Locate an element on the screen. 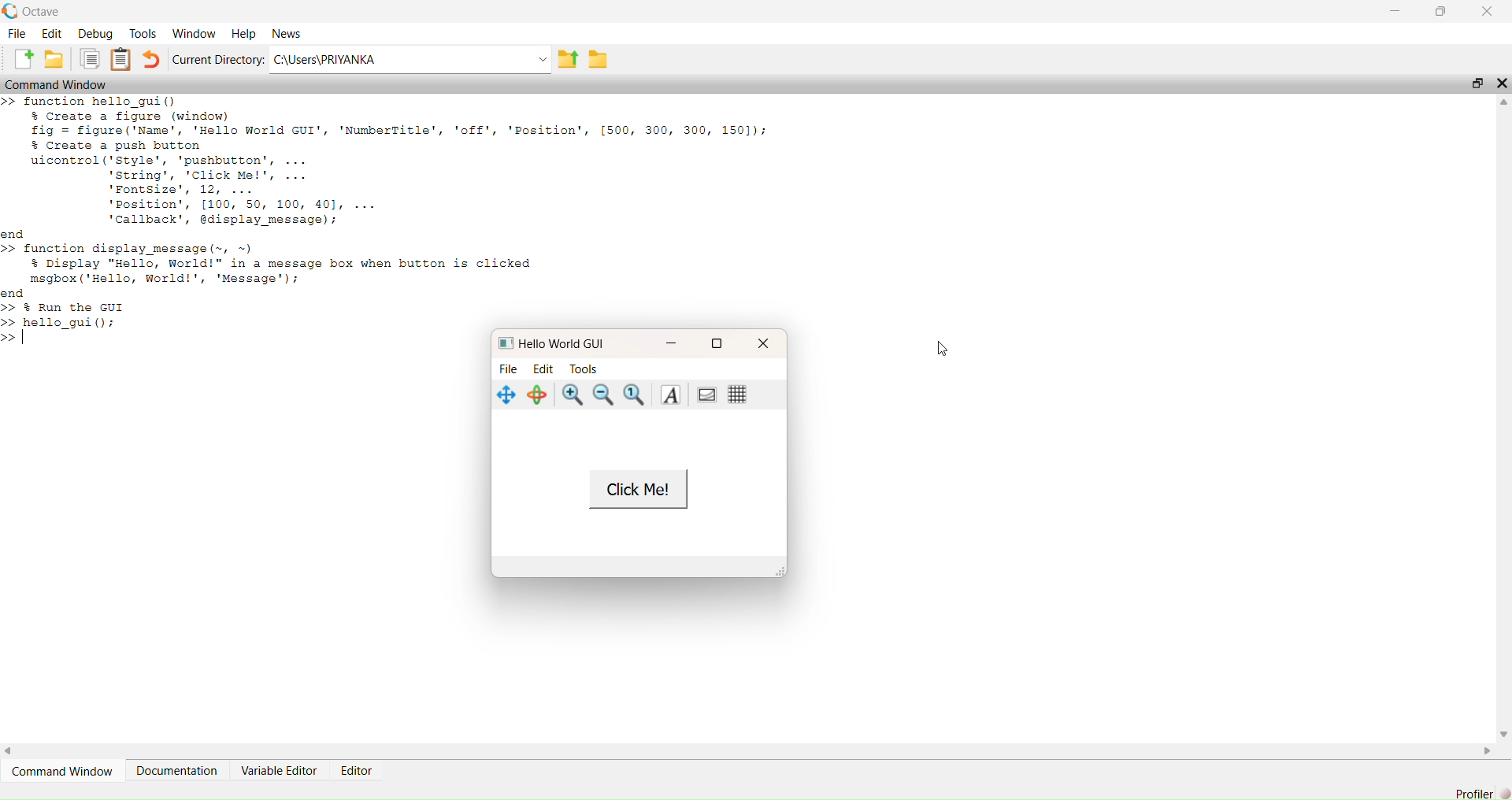 The height and width of the screenshot is (800, 1512). save is located at coordinates (600, 59).